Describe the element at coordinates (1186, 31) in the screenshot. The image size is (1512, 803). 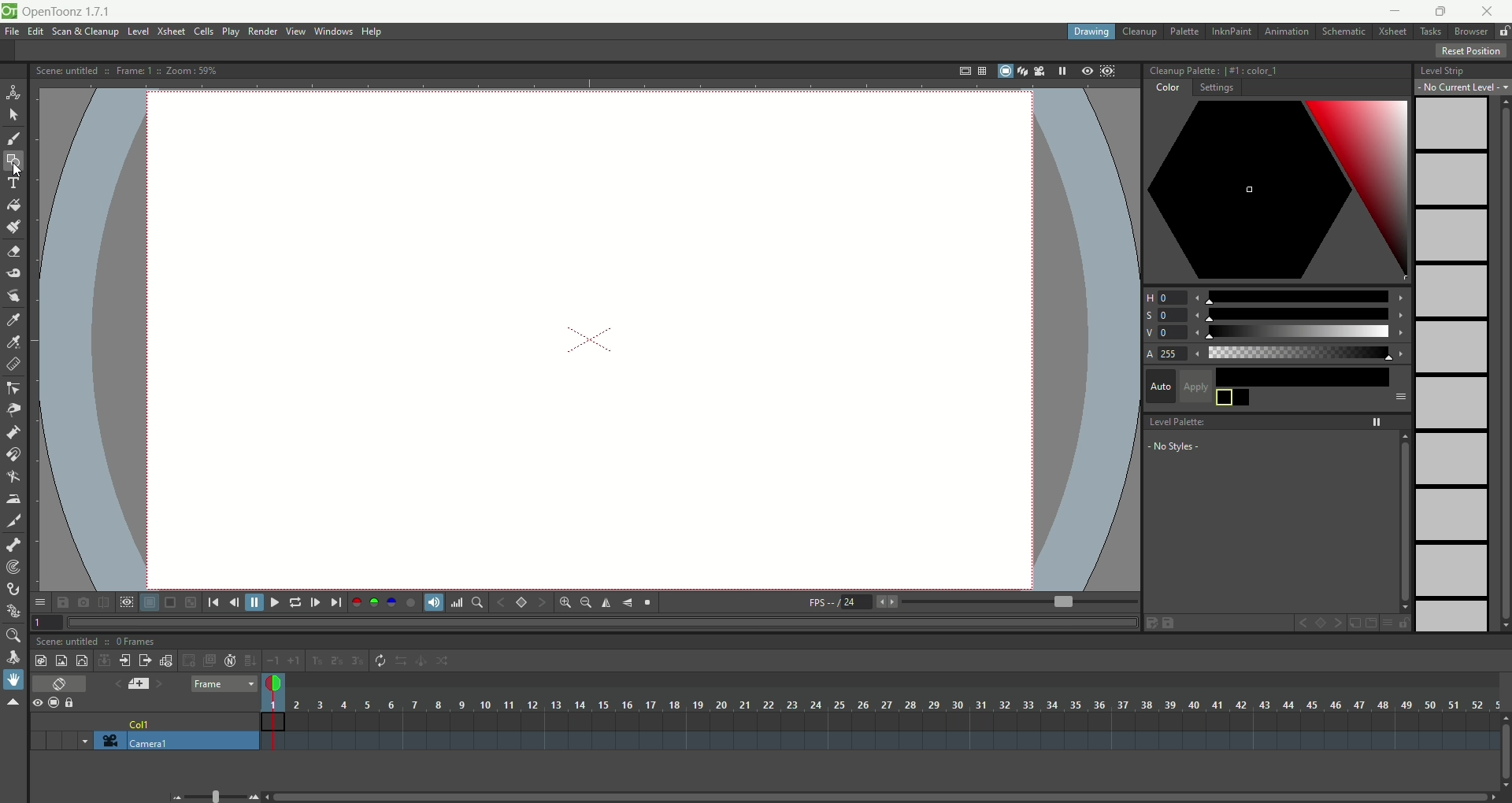
I see `palette` at that location.